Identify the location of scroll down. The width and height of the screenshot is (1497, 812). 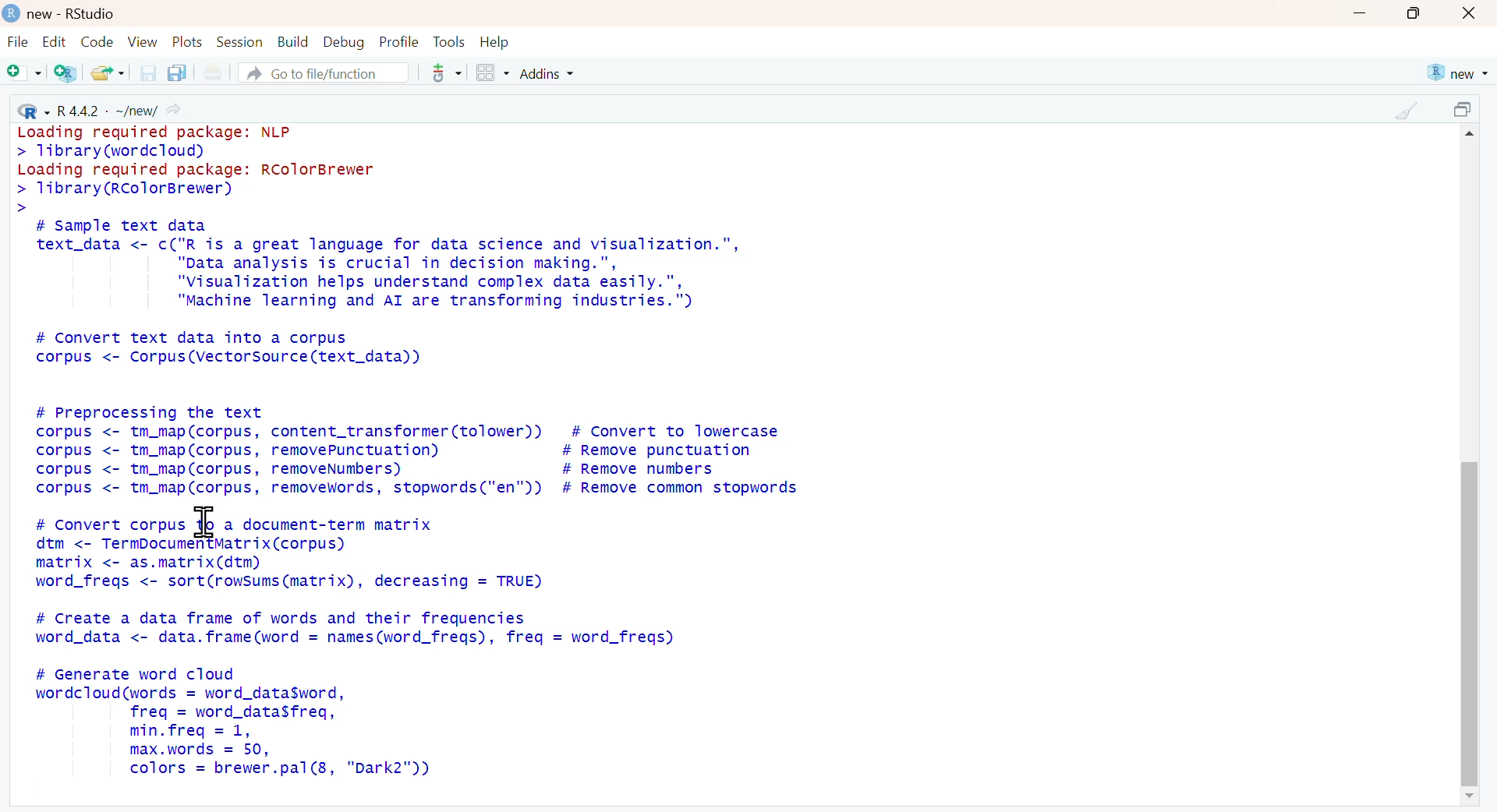
(1464, 796).